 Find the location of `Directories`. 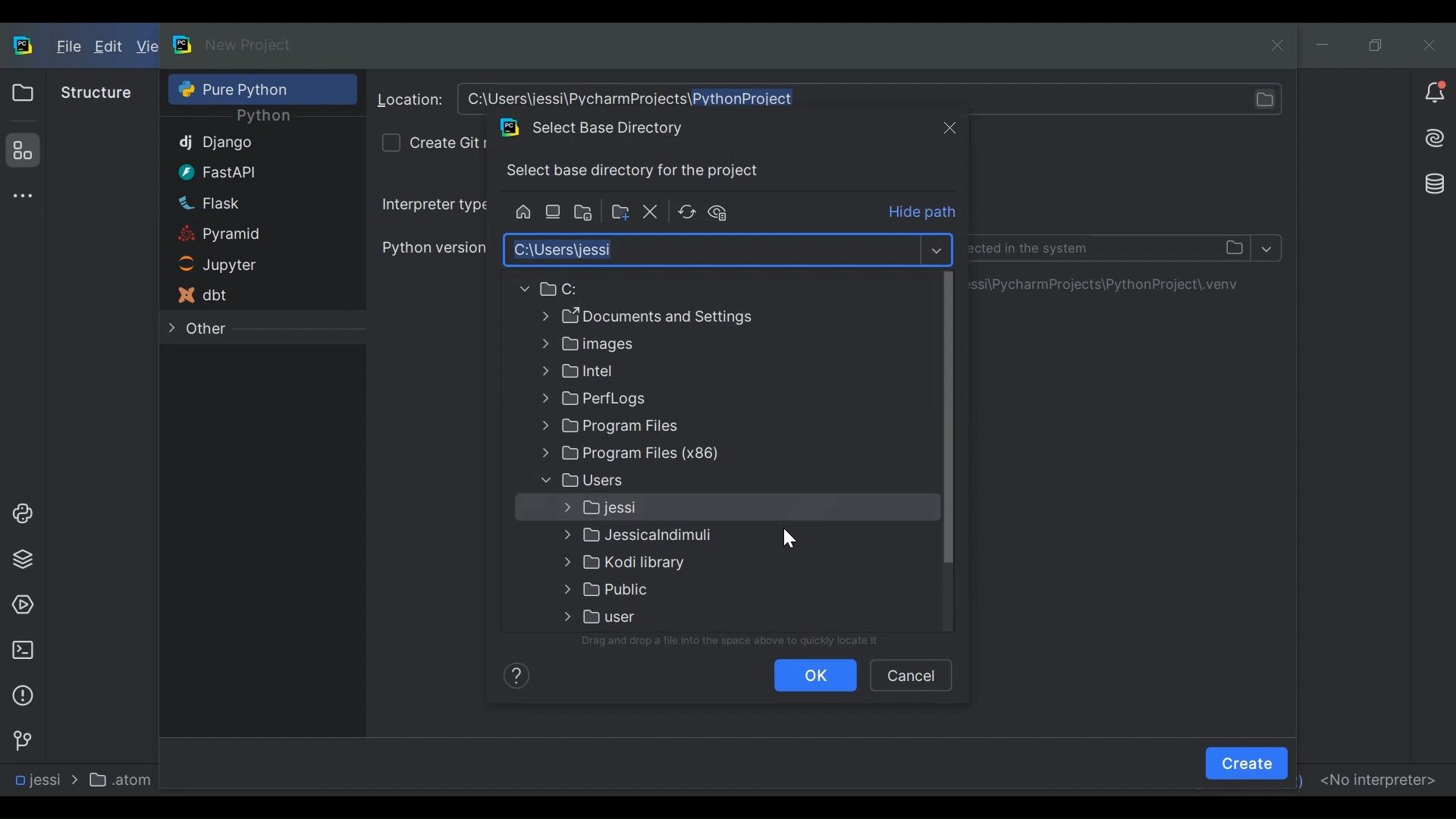

Directories is located at coordinates (1115, 284).